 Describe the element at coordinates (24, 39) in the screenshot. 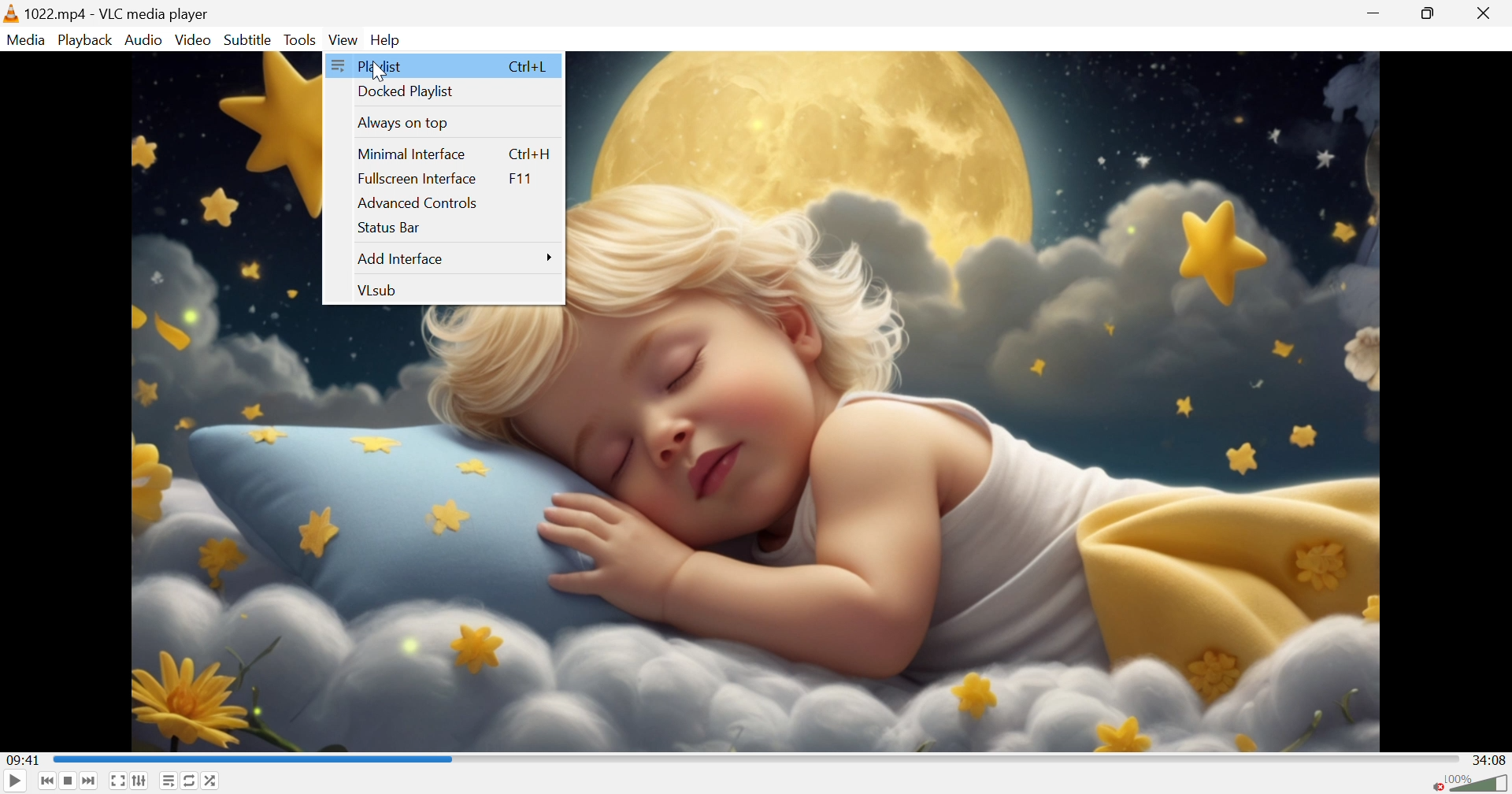

I see `Media` at that location.